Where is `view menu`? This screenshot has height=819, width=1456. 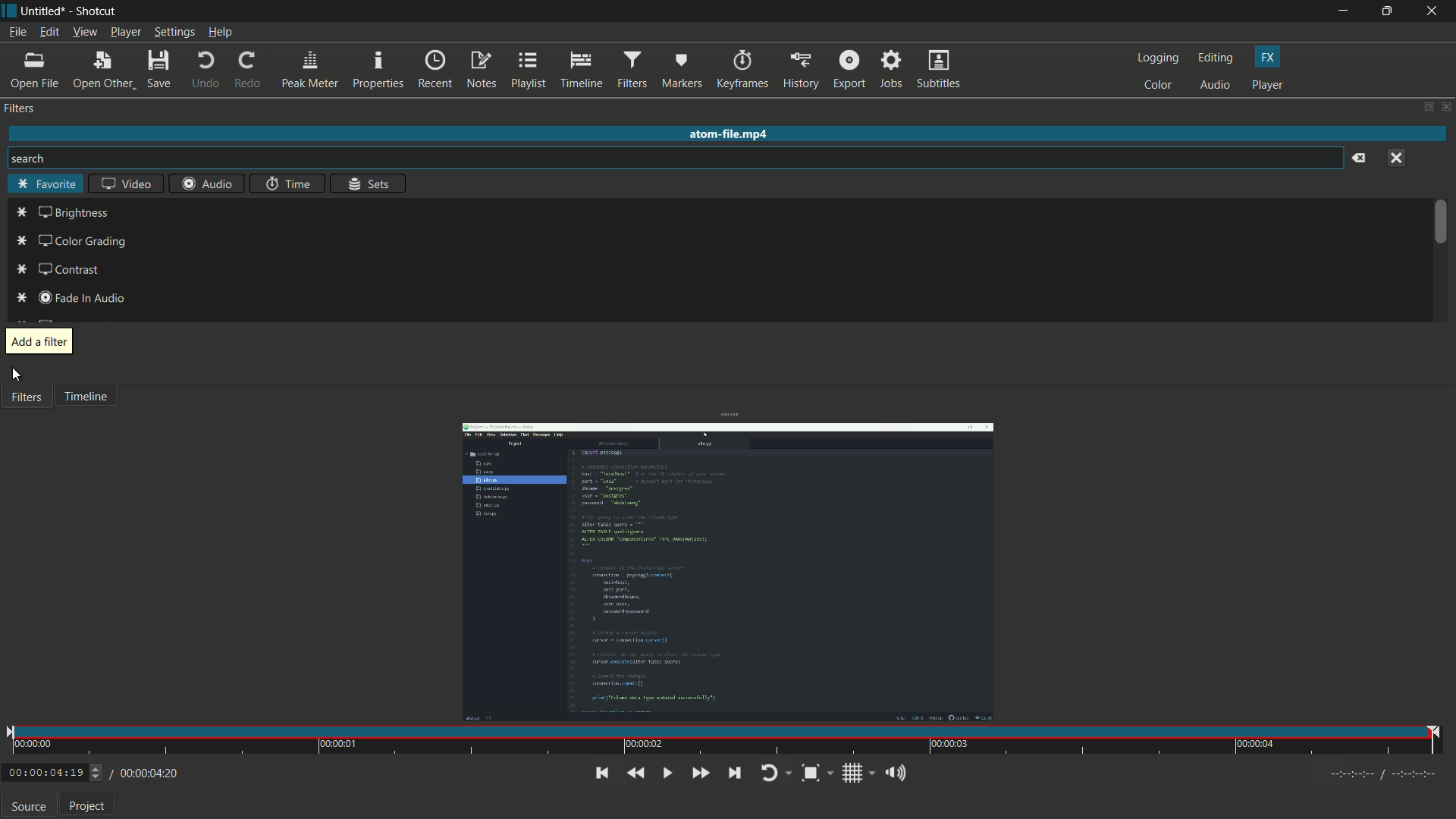
view menu is located at coordinates (83, 33).